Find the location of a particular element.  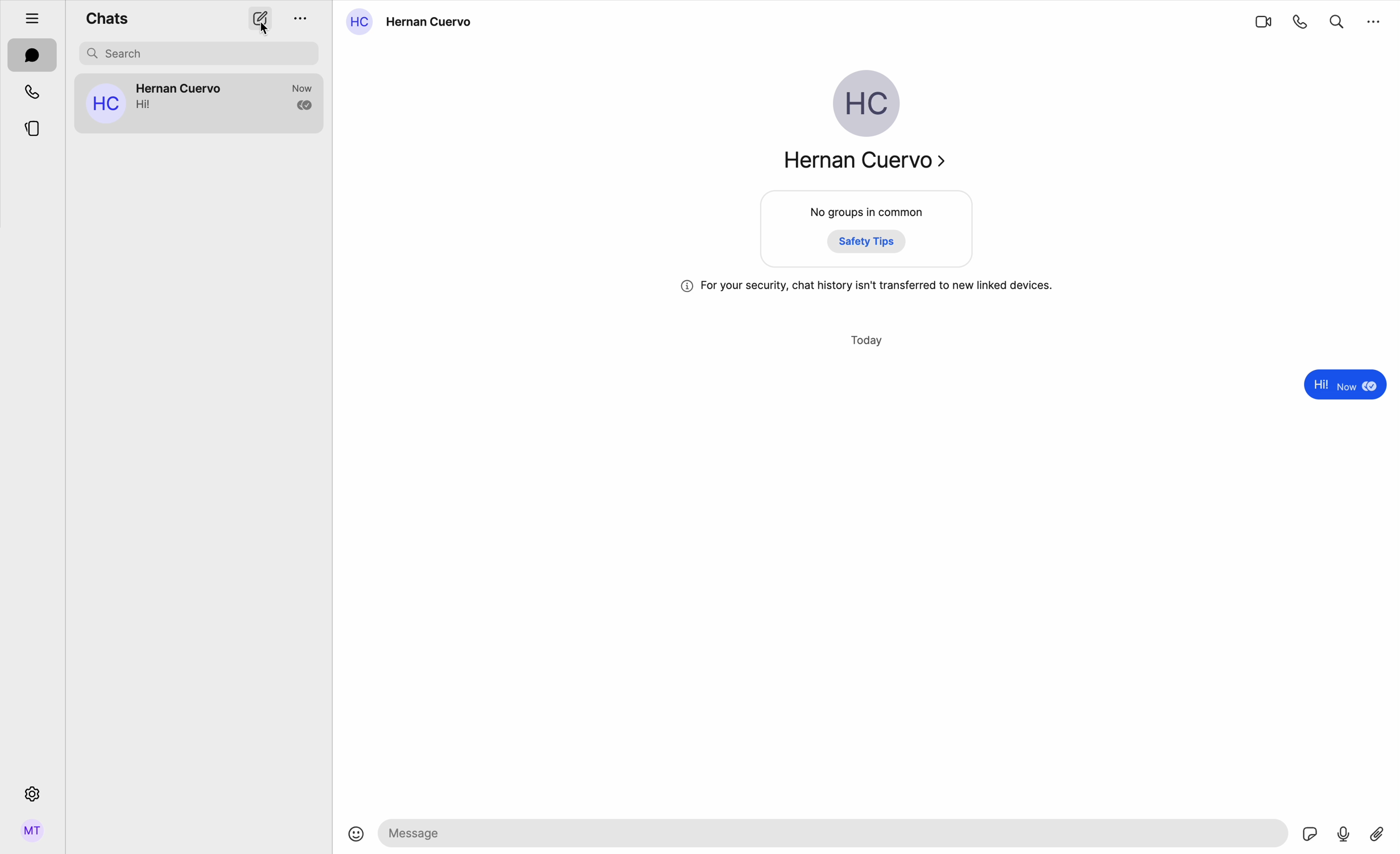

create options is located at coordinates (262, 19).